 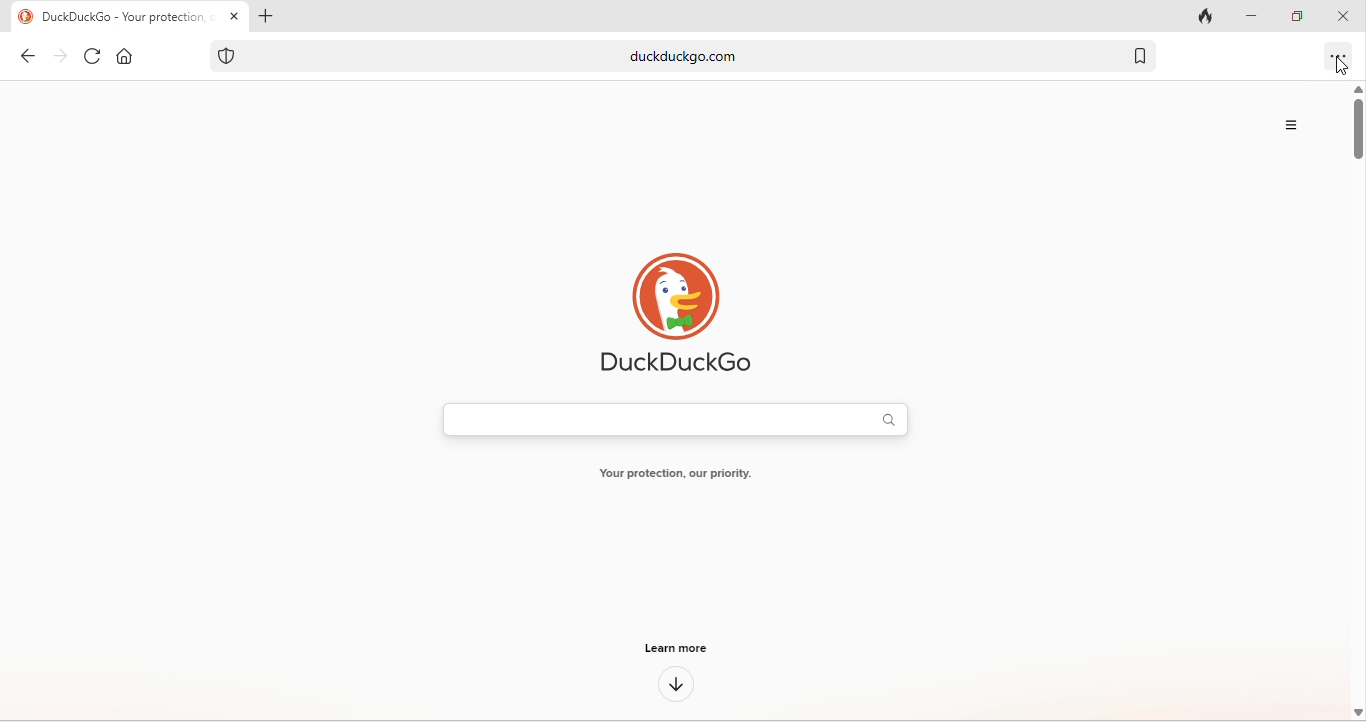 I want to click on duckduckgo-your protection our priority, so click(x=128, y=17).